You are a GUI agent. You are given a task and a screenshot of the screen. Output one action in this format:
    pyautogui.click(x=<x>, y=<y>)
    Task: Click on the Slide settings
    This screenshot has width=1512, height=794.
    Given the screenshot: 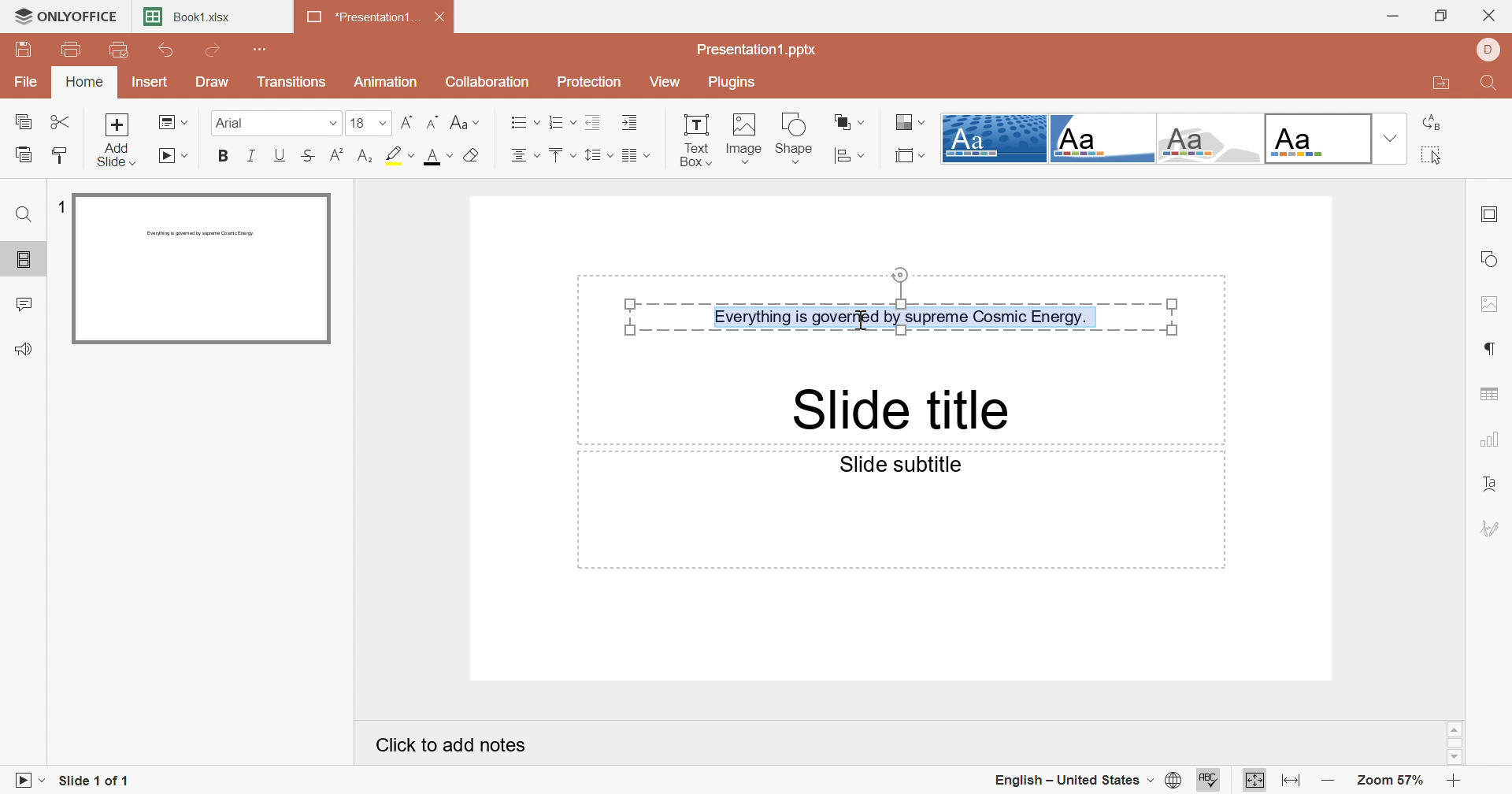 What is the action you would take?
    pyautogui.click(x=1492, y=213)
    